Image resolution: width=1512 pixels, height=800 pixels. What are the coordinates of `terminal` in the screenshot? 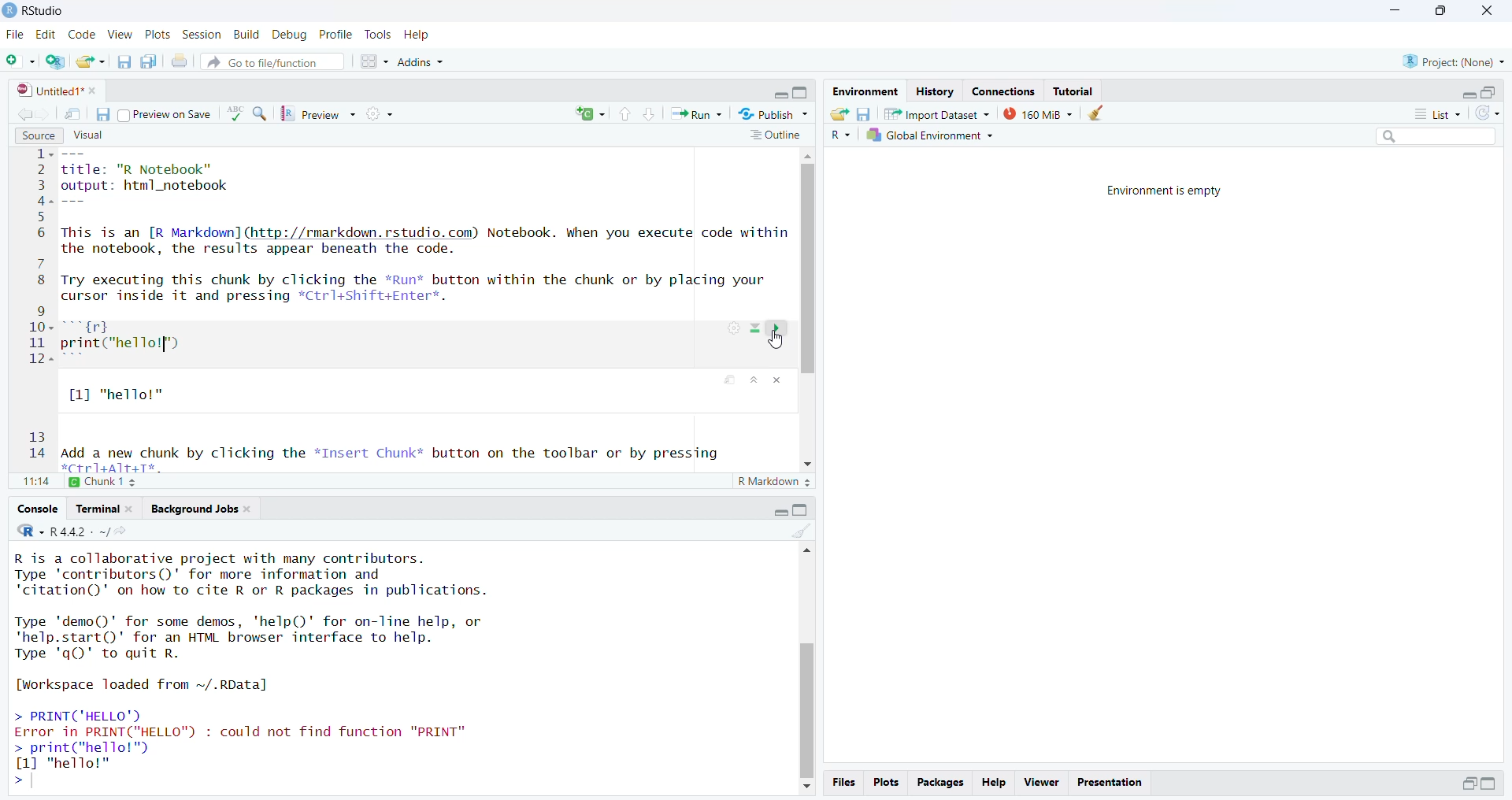 It's located at (106, 508).